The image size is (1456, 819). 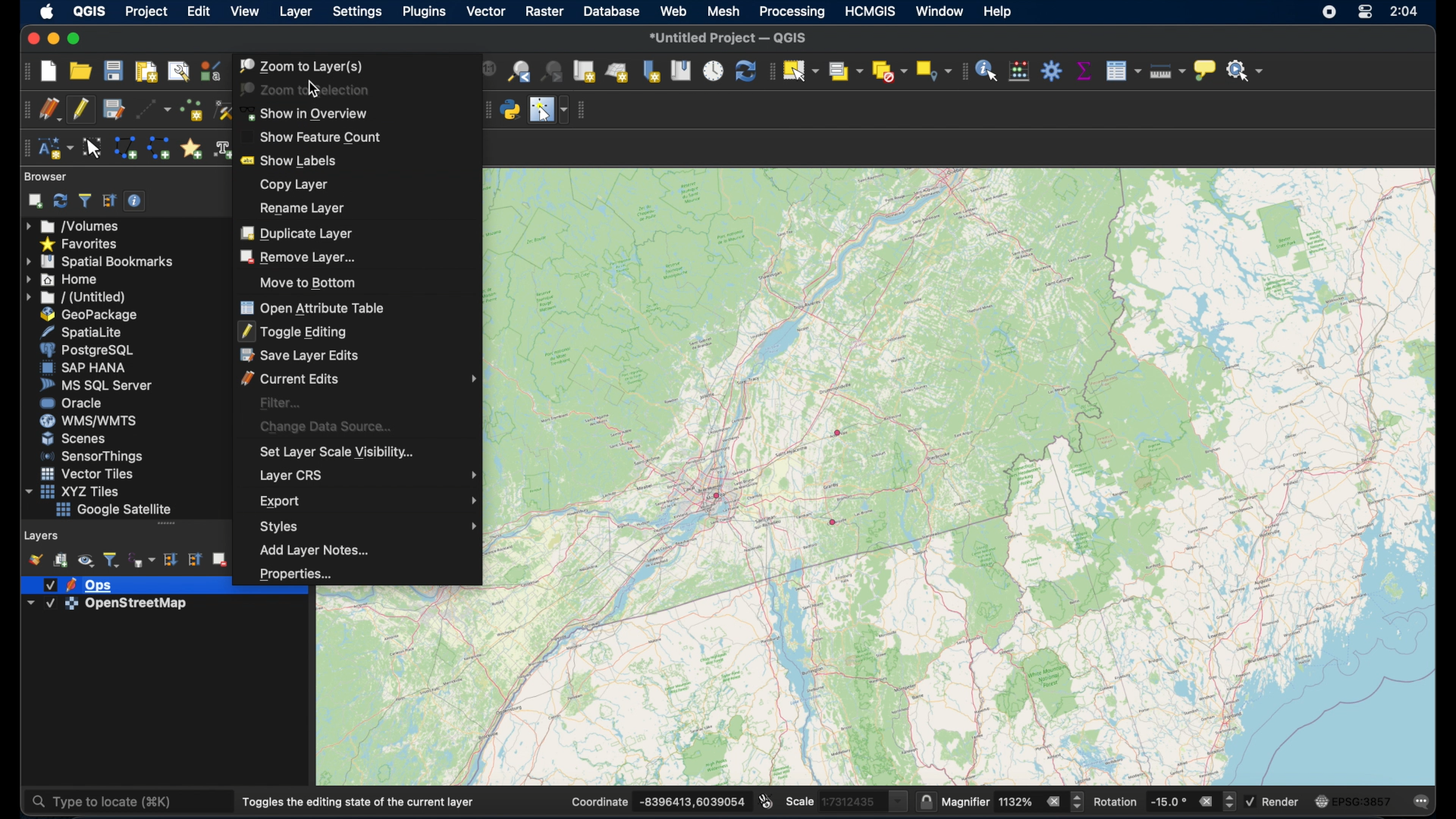 What do you see at coordinates (617, 71) in the screenshot?
I see `new 3D map view` at bounding box center [617, 71].